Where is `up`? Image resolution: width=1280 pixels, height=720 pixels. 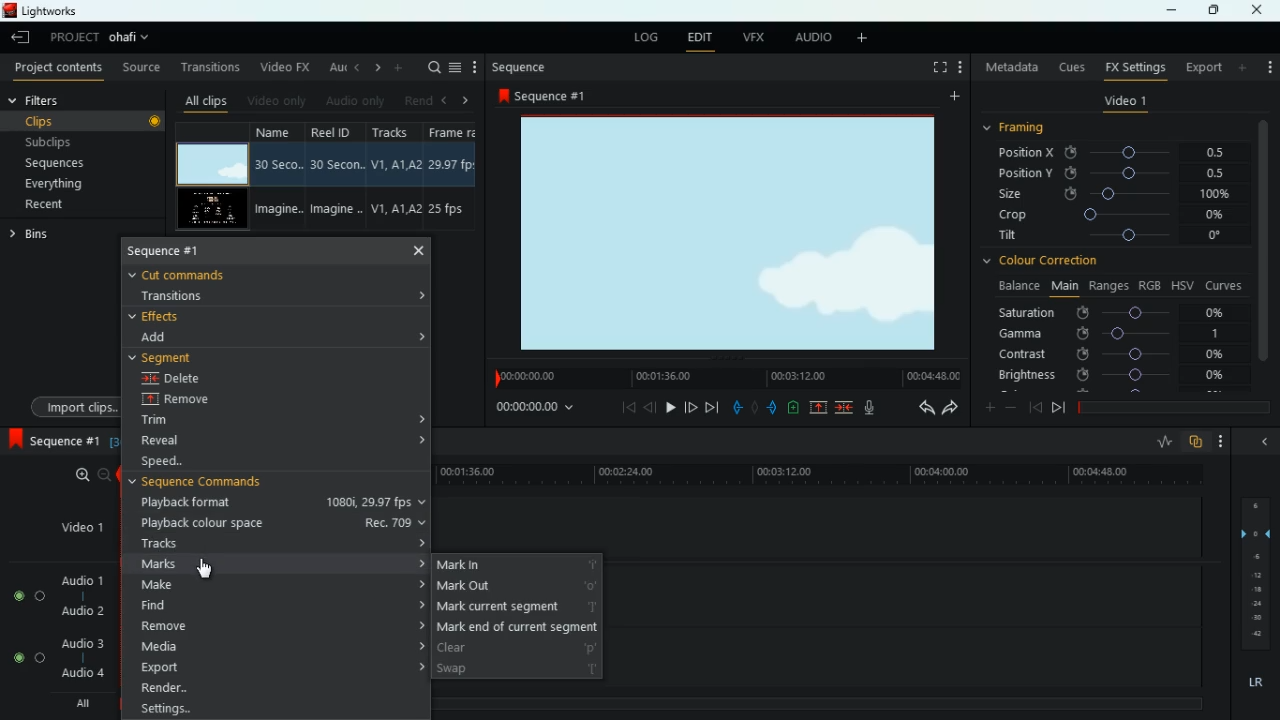 up is located at coordinates (818, 408).